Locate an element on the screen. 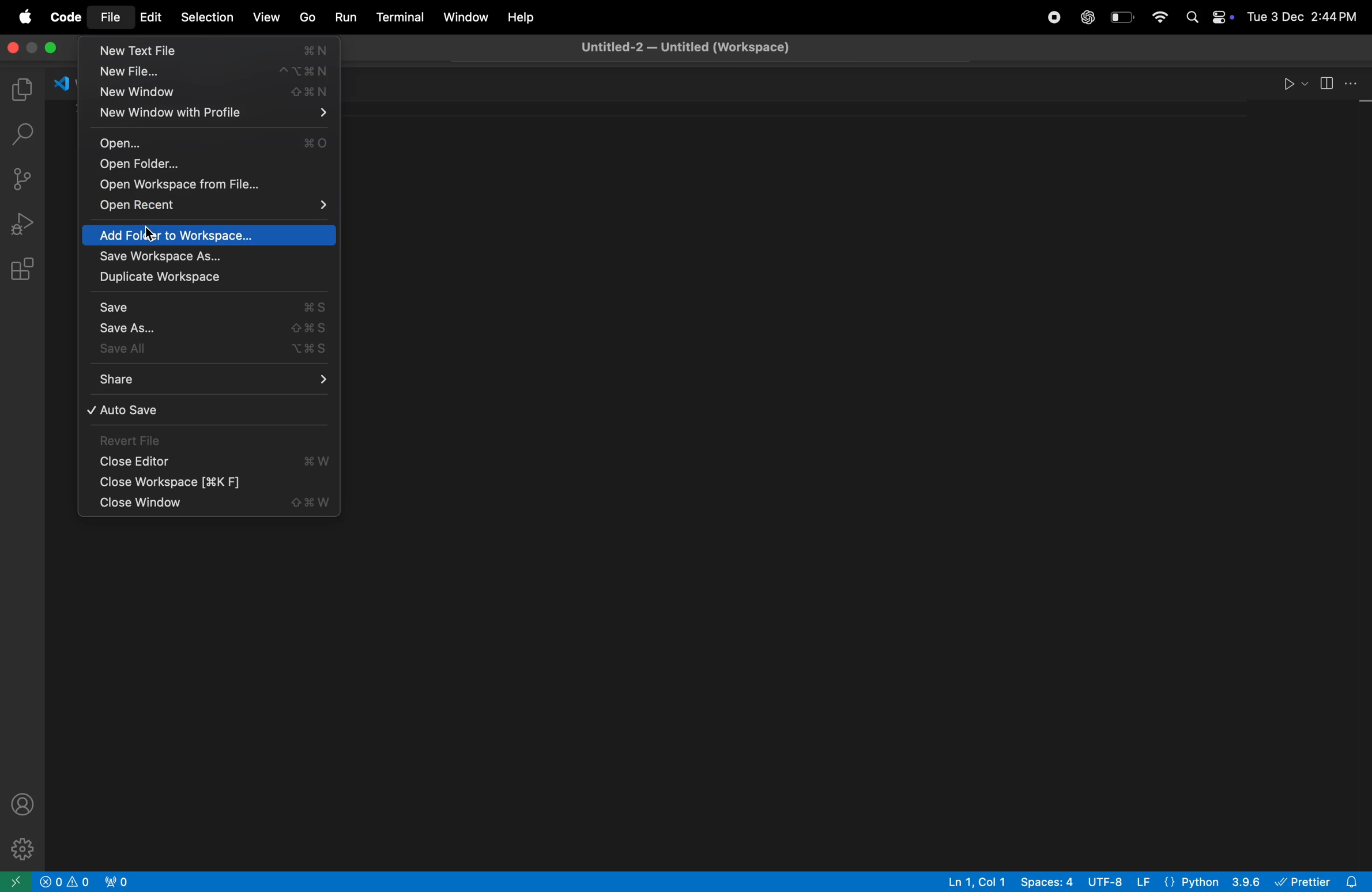 The image size is (1372, 892). new text file is located at coordinates (212, 50).